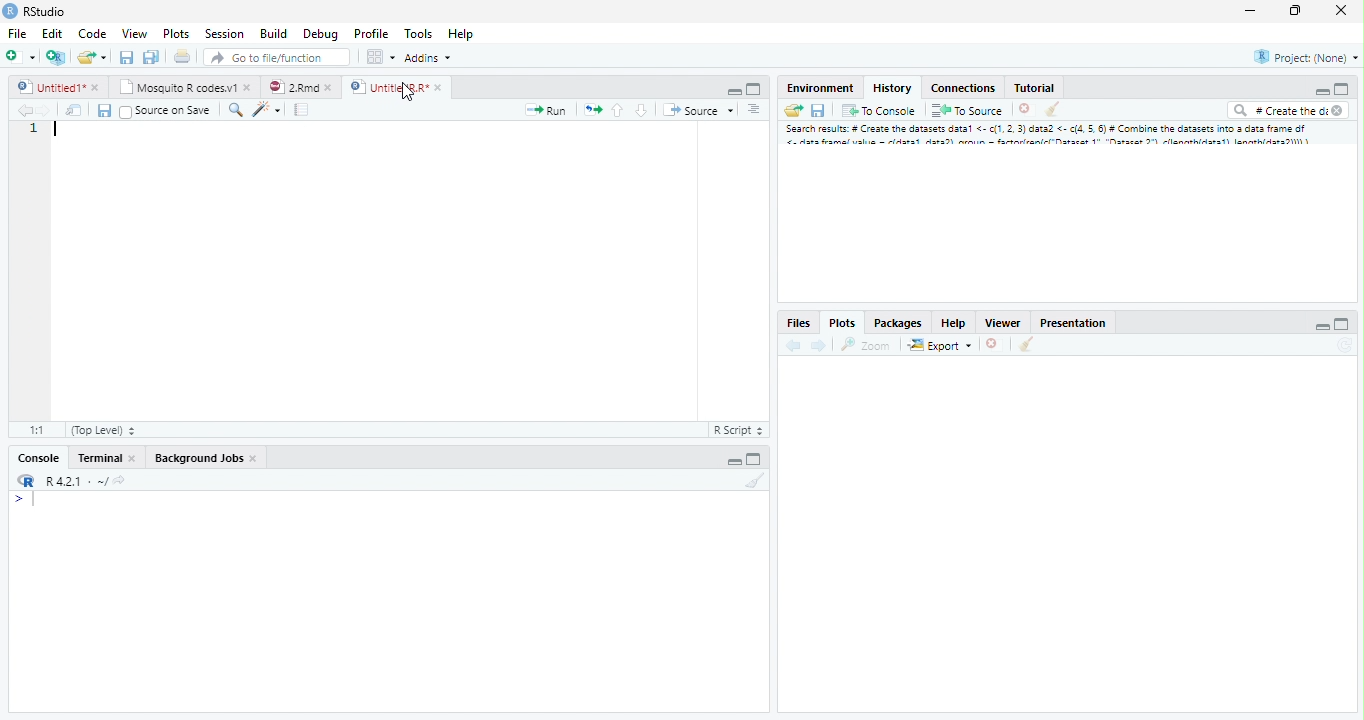 Image resolution: width=1364 pixels, height=720 pixels. Describe the element at coordinates (188, 87) in the screenshot. I see `Mosquito R codes` at that location.